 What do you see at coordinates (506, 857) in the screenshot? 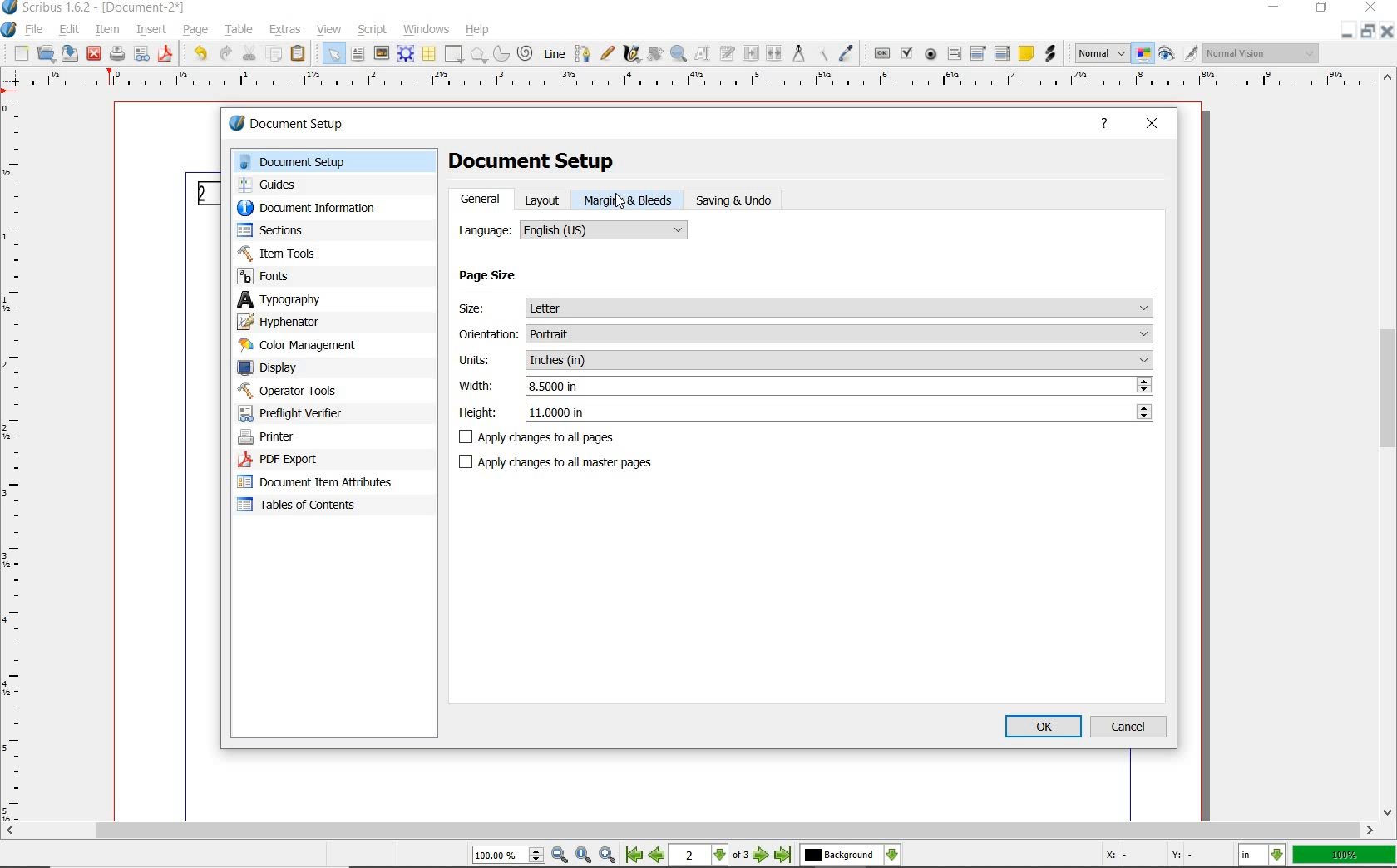
I see `Zoom 100.00%` at bounding box center [506, 857].